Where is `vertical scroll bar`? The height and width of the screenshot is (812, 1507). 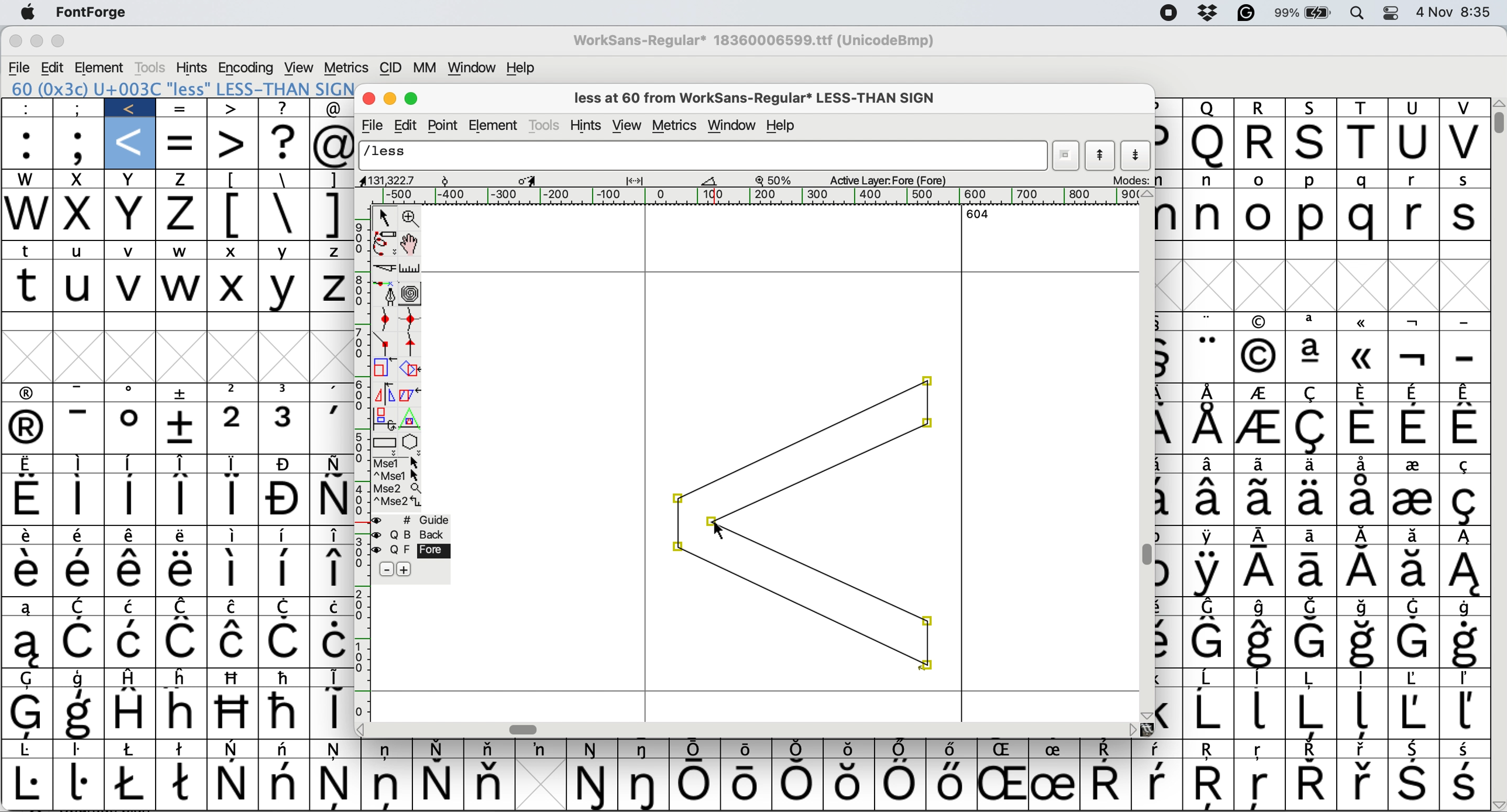
vertical scroll bar is located at coordinates (1498, 120).